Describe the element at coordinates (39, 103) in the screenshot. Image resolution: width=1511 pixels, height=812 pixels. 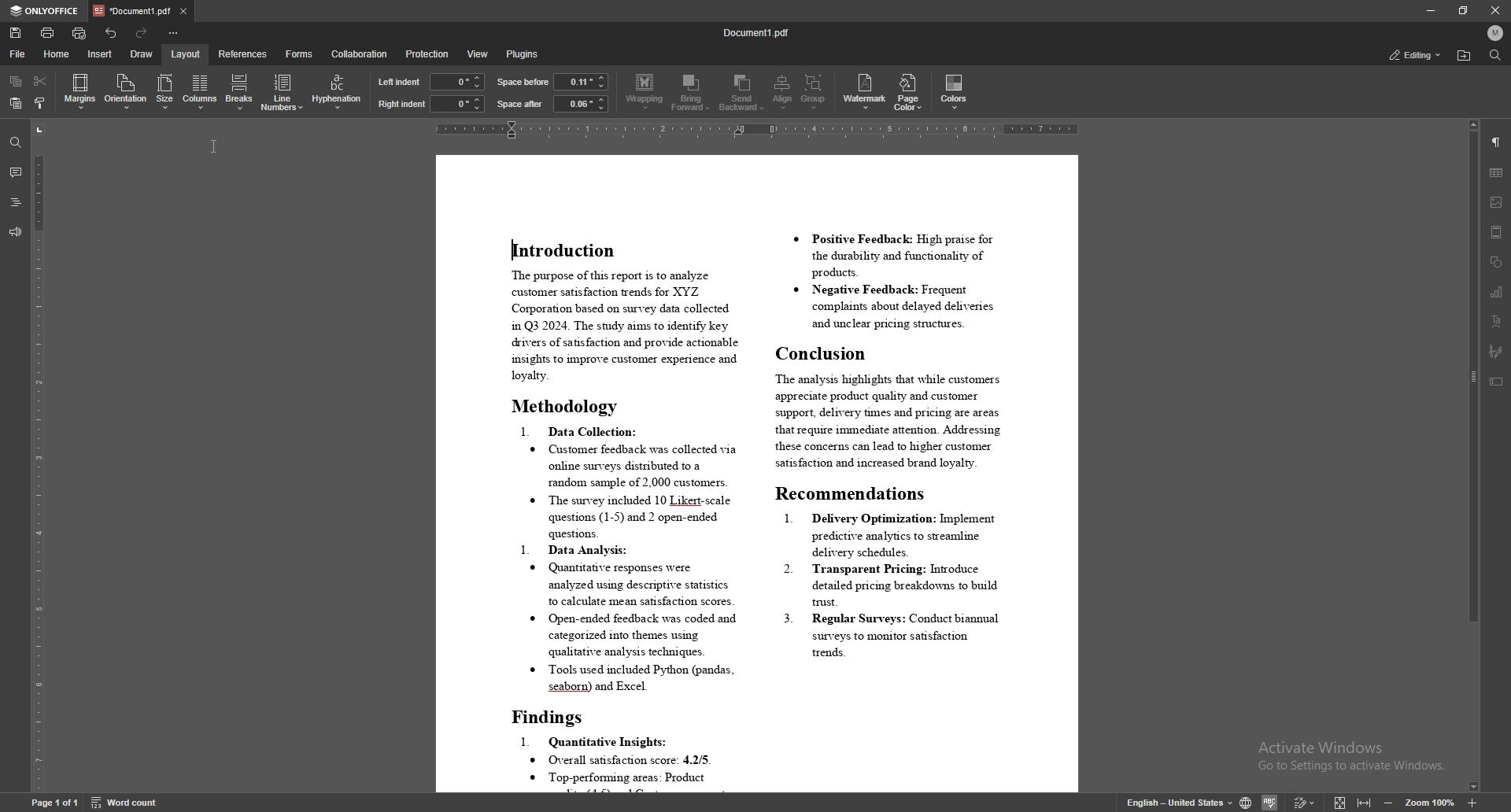
I see `copy style` at that location.